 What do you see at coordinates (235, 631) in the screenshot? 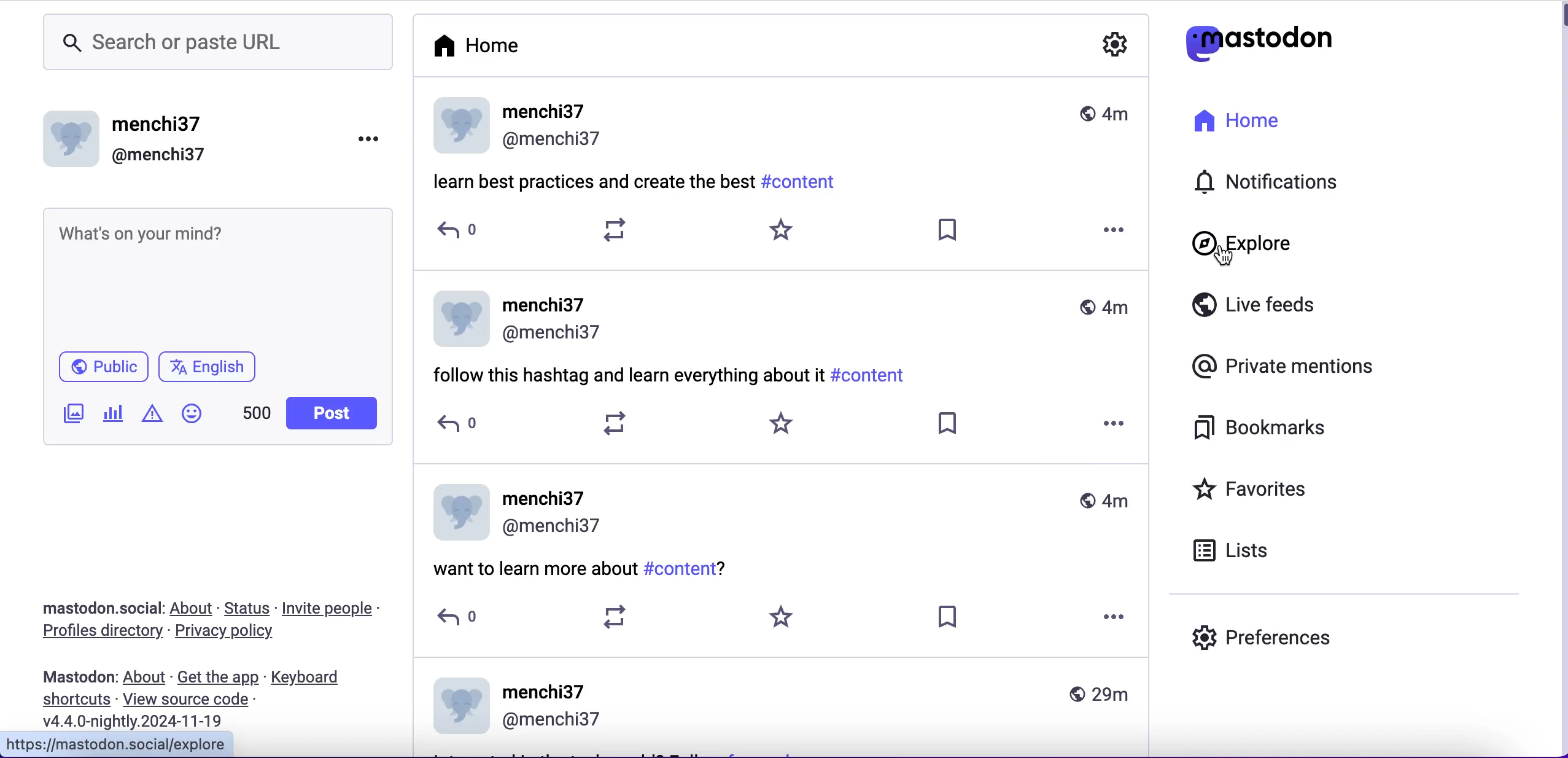
I see `privacy policy` at bounding box center [235, 631].